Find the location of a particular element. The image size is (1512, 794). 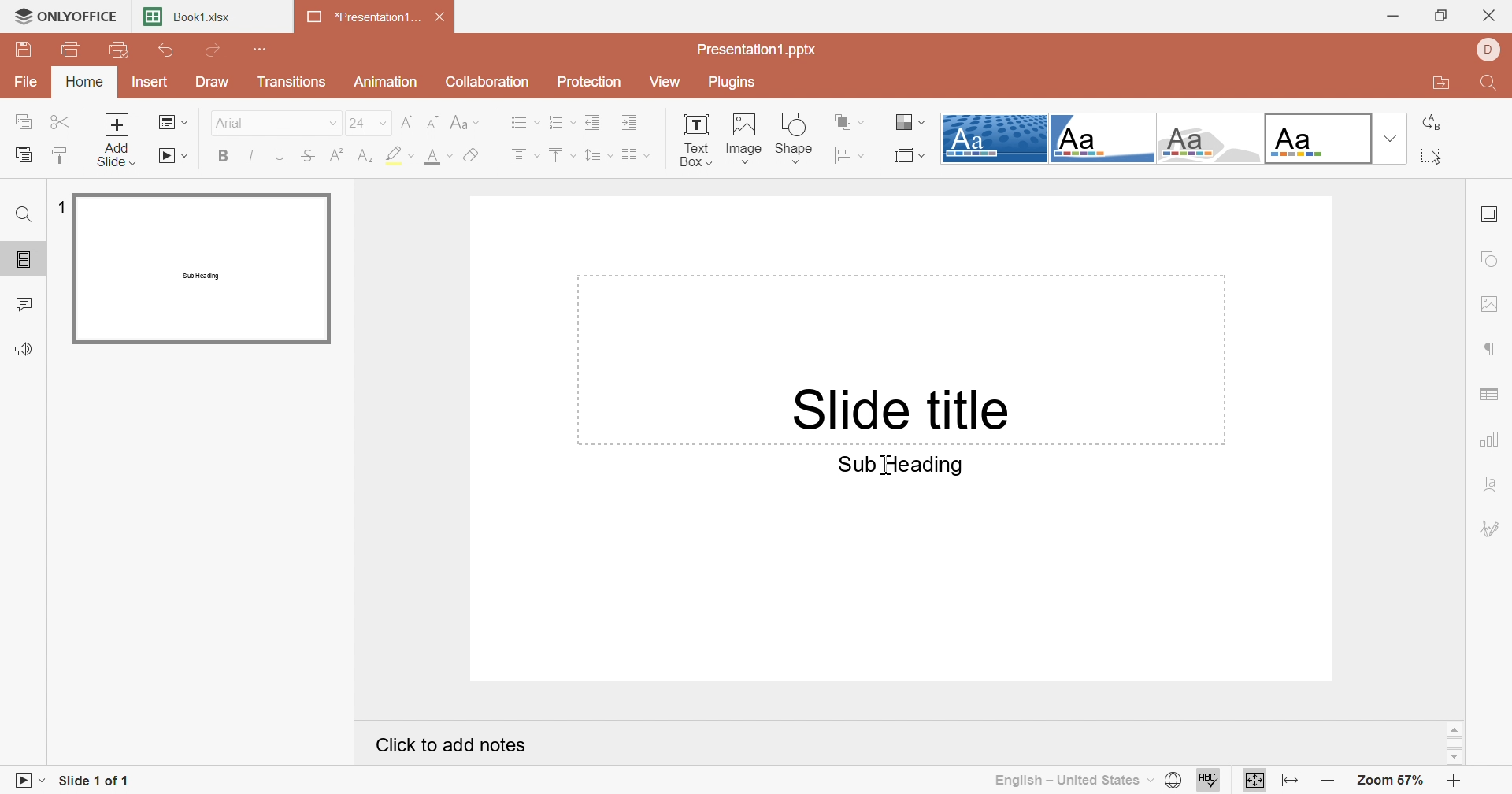

Undo is located at coordinates (169, 50).